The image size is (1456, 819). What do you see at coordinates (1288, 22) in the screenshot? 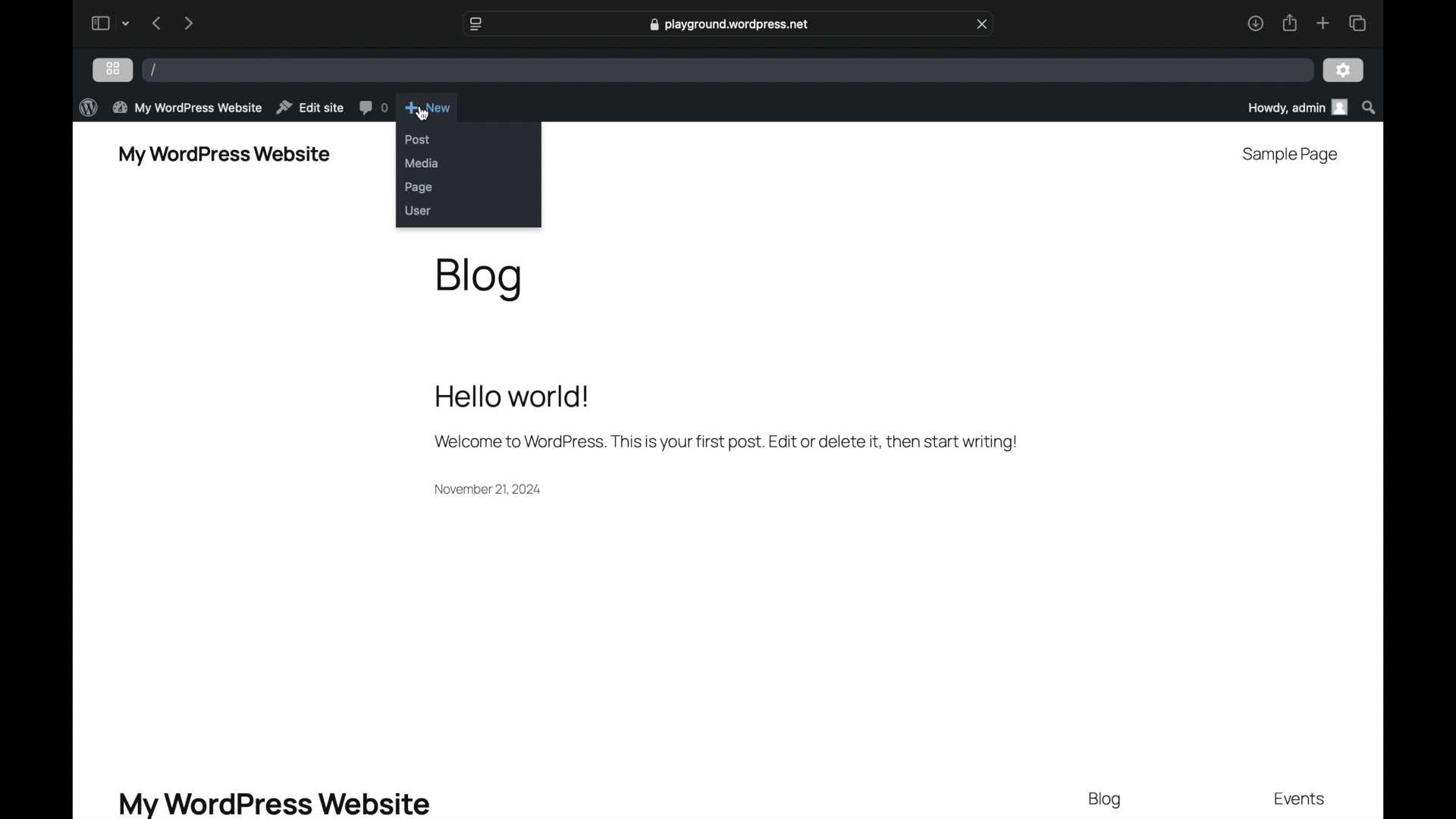
I see `share` at bounding box center [1288, 22].